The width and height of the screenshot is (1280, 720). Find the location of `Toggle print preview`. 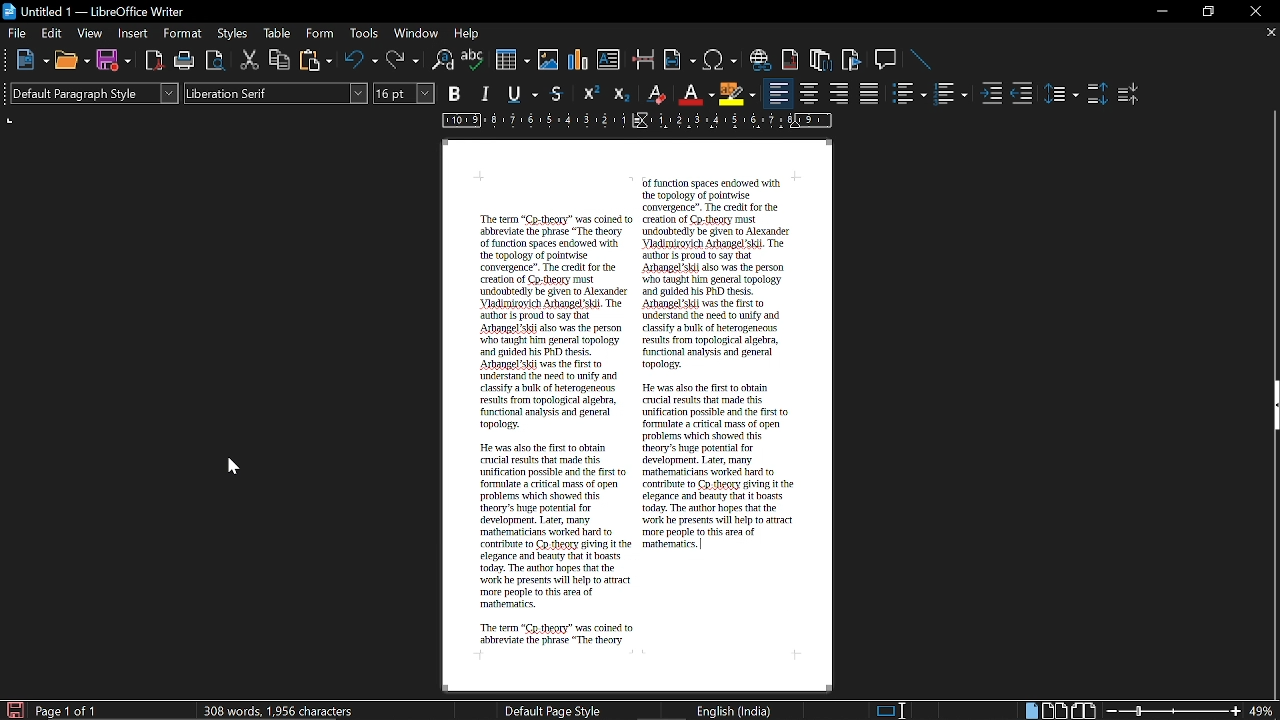

Toggle print preview is located at coordinates (218, 62).